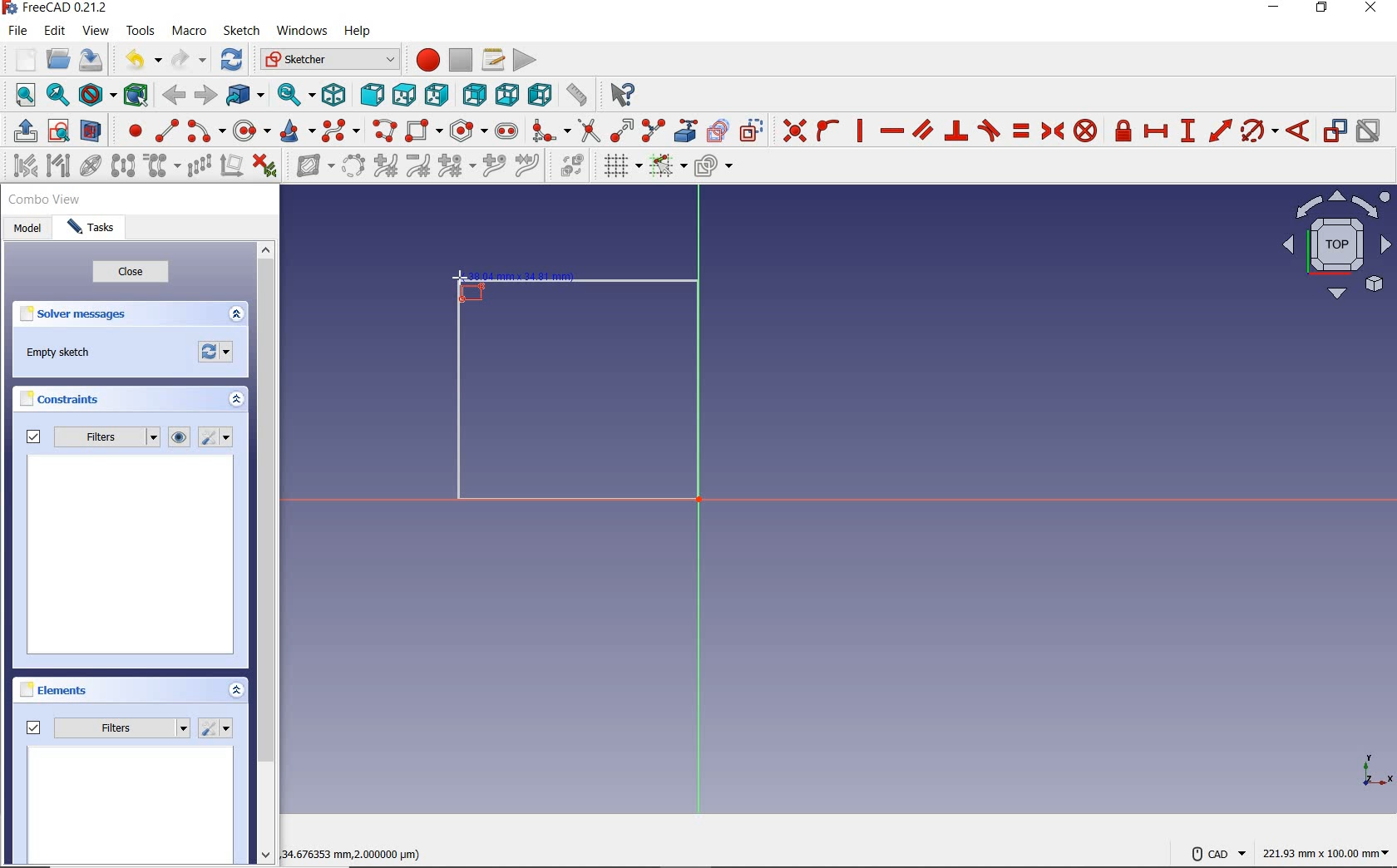 This screenshot has height=868, width=1397. Describe the element at coordinates (529, 168) in the screenshot. I see `join curves` at that location.